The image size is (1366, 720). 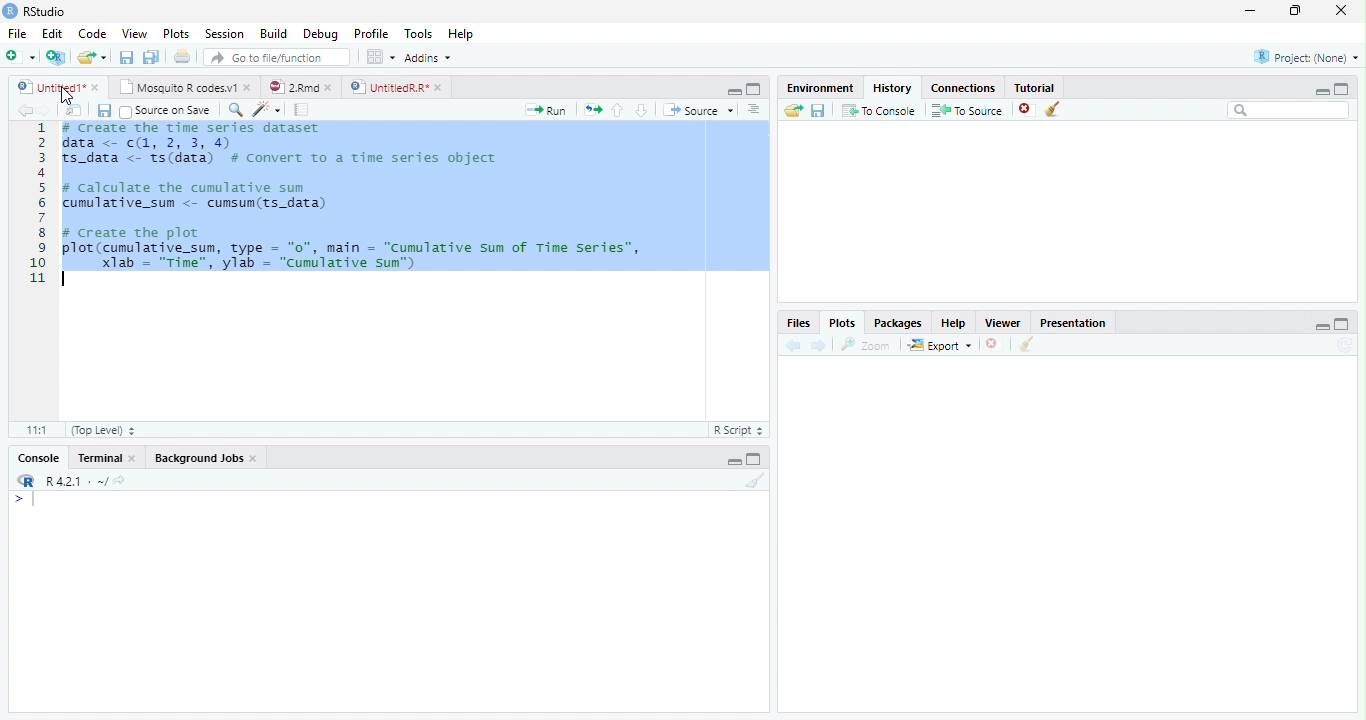 What do you see at coordinates (896, 323) in the screenshot?
I see `Packages` at bounding box center [896, 323].